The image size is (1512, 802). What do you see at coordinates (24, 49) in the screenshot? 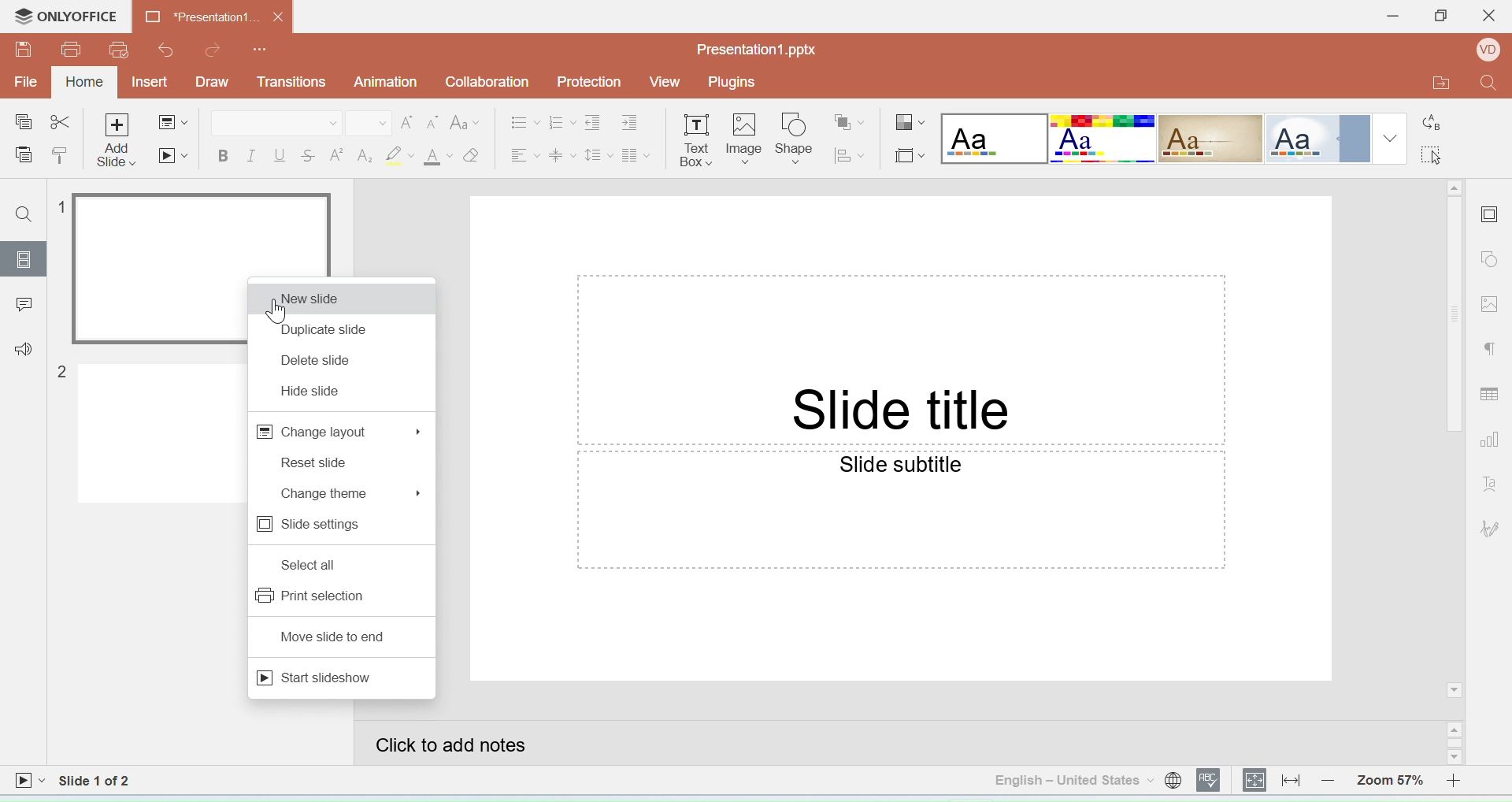
I see `Save` at bounding box center [24, 49].